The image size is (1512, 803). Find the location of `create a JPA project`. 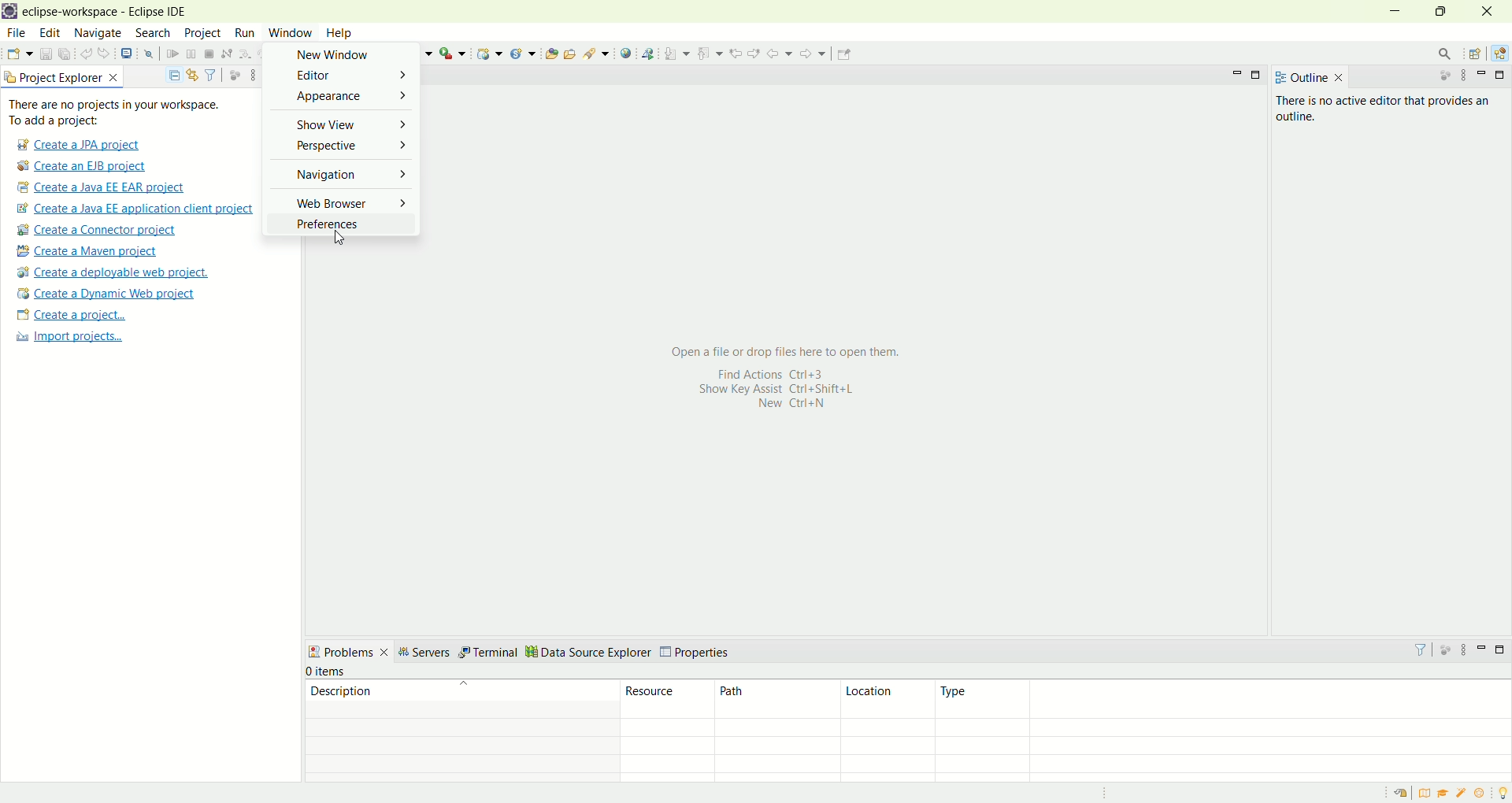

create a JPA project is located at coordinates (76, 145).